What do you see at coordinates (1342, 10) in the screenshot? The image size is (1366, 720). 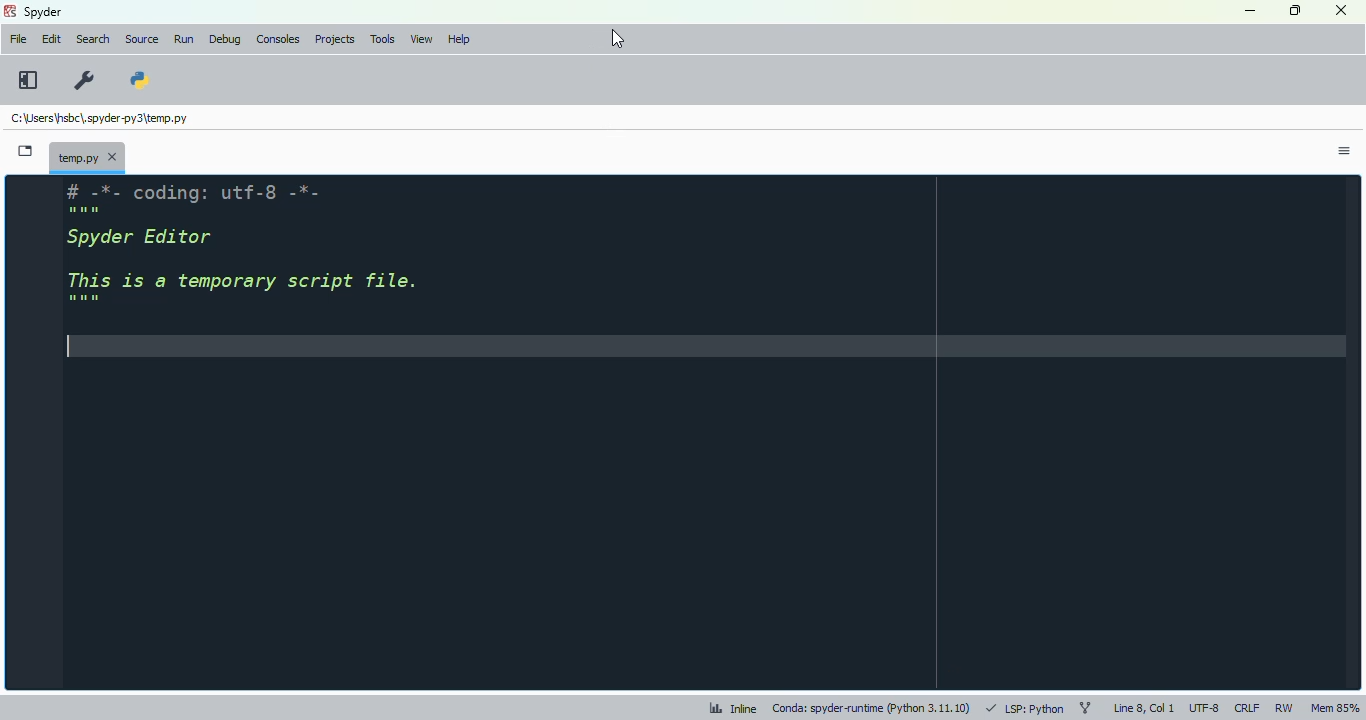 I see `close` at bounding box center [1342, 10].